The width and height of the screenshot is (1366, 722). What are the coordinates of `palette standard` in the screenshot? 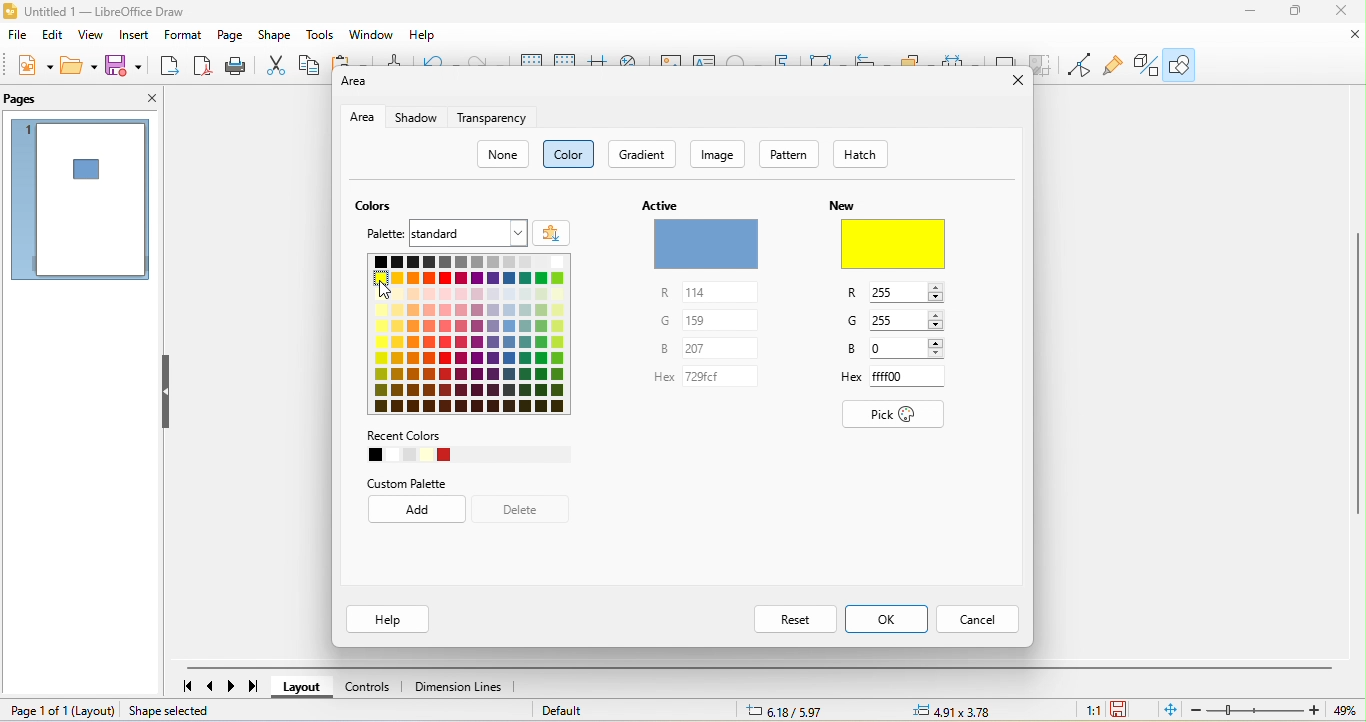 It's located at (446, 232).